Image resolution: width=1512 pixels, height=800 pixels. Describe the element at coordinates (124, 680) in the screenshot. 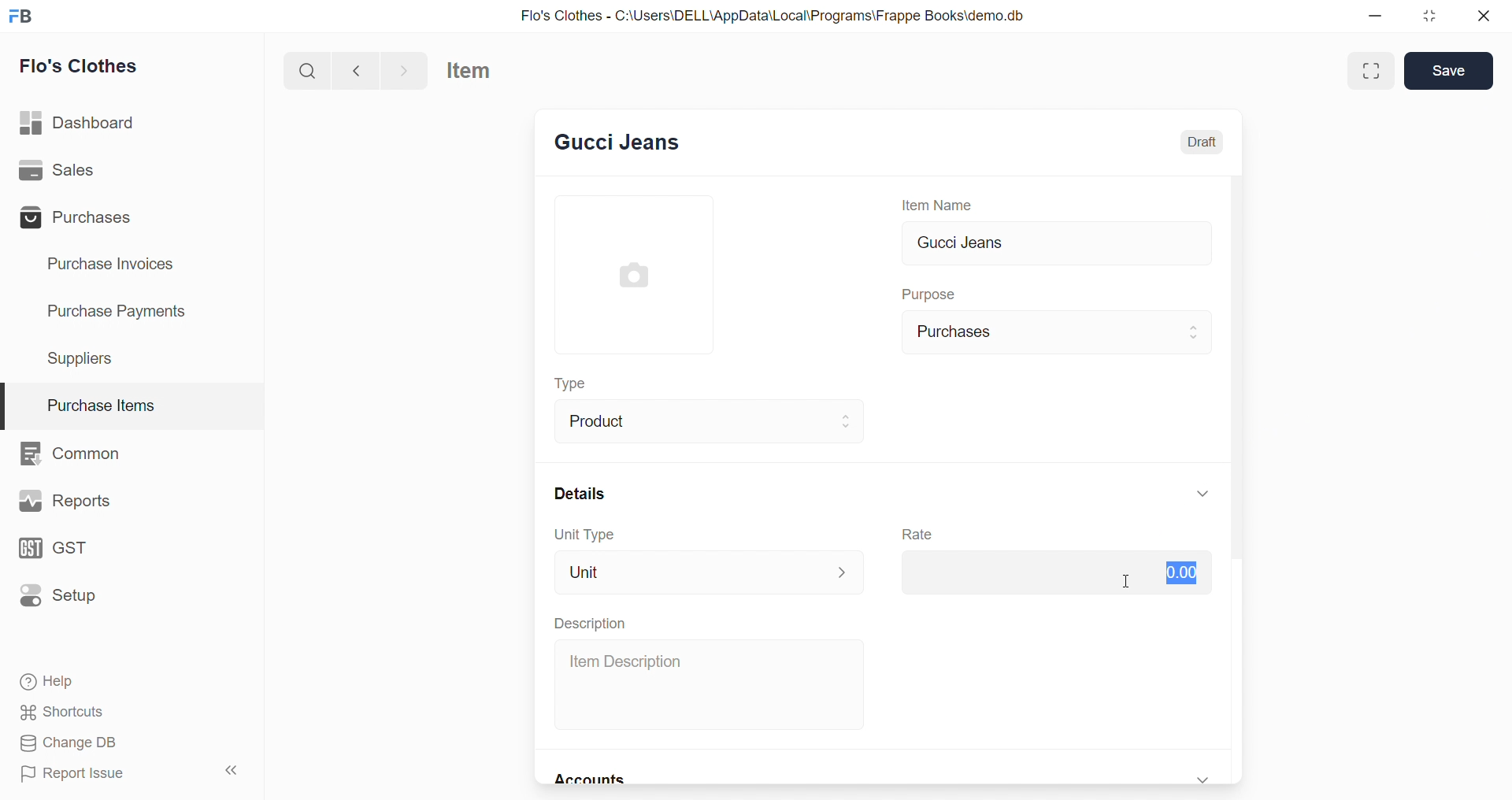

I see `Help` at that location.